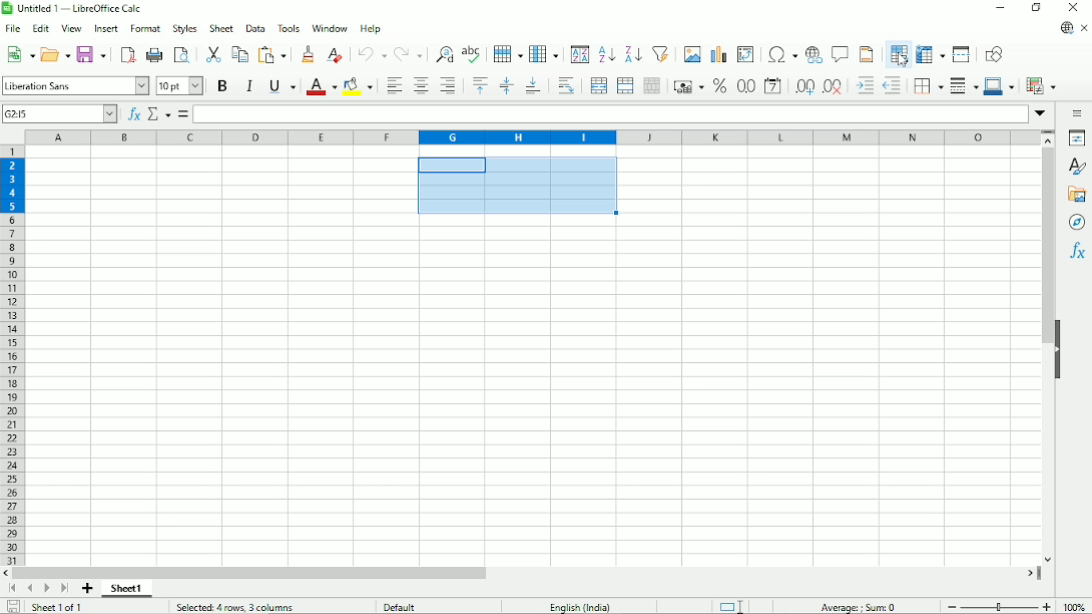  What do you see at coordinates (308, 55) in the screenshot?
I see `Clone formatting` at bounding box center [308, 55].